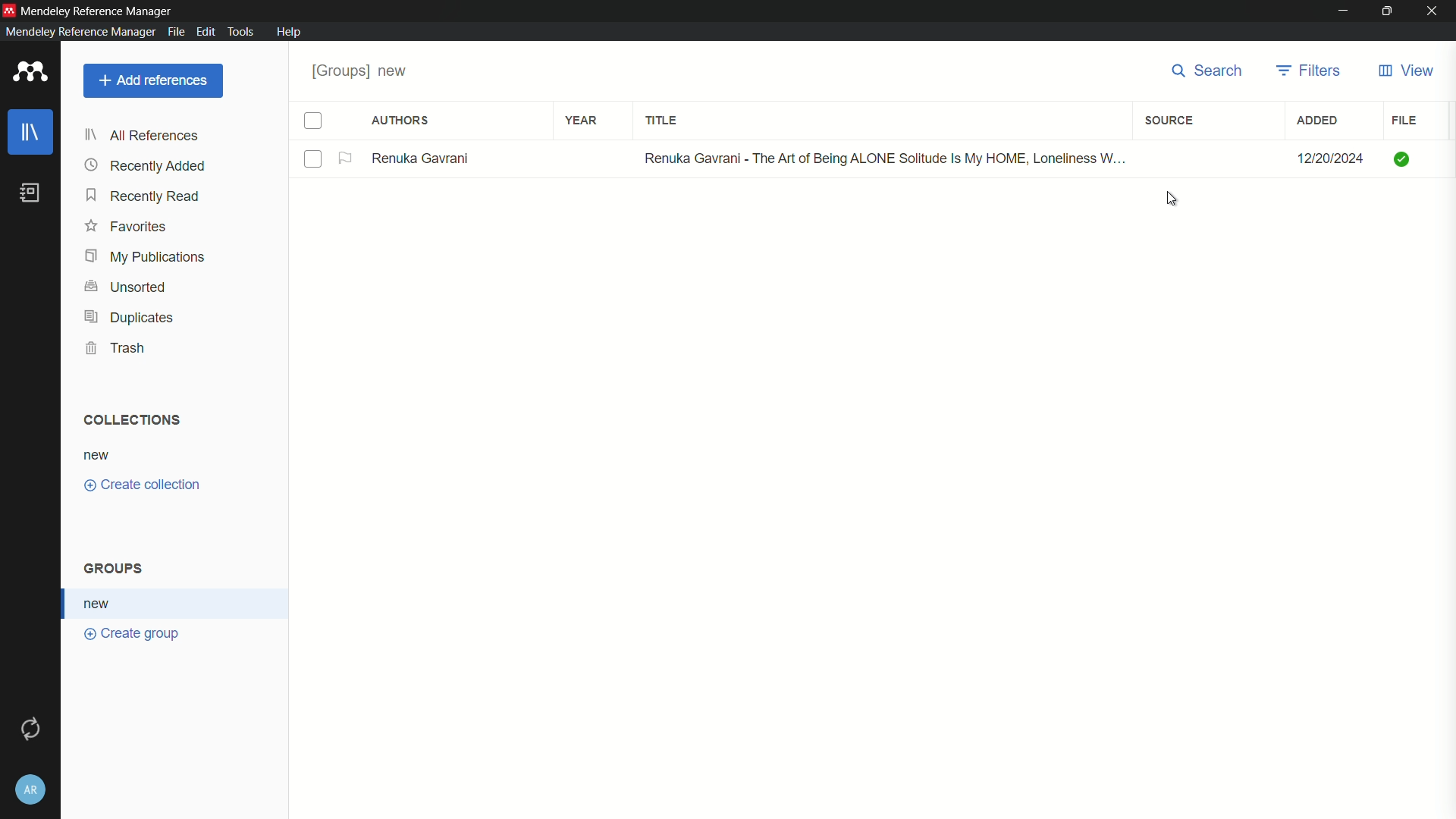 This screenshot has width=1456, height=819. What do you see at coordinates (1311, 72) in the screenshot?
I see `filters` at bounding box center [1311, 72].